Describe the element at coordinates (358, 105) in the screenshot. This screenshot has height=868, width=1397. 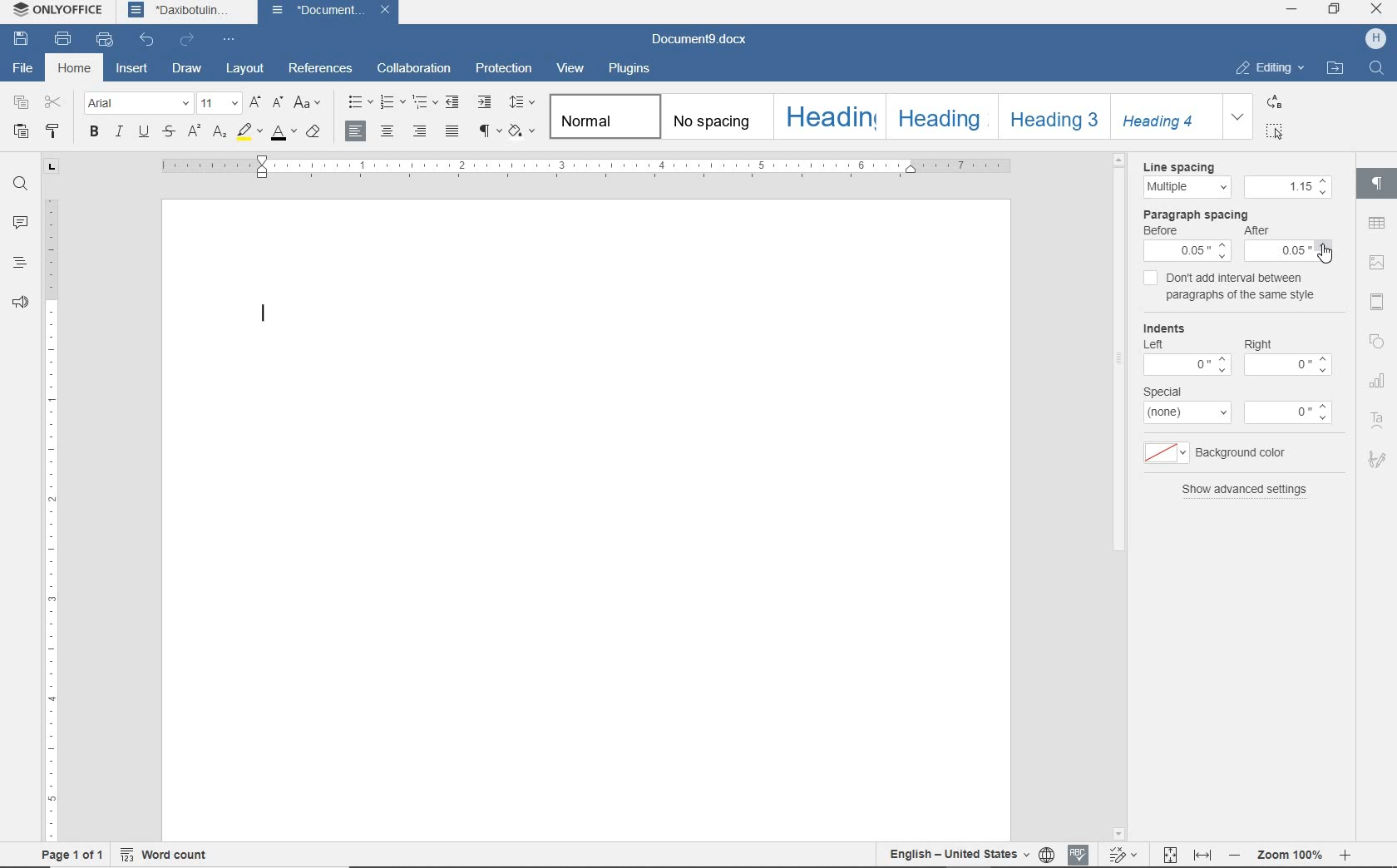
I see `bullets` at that location.